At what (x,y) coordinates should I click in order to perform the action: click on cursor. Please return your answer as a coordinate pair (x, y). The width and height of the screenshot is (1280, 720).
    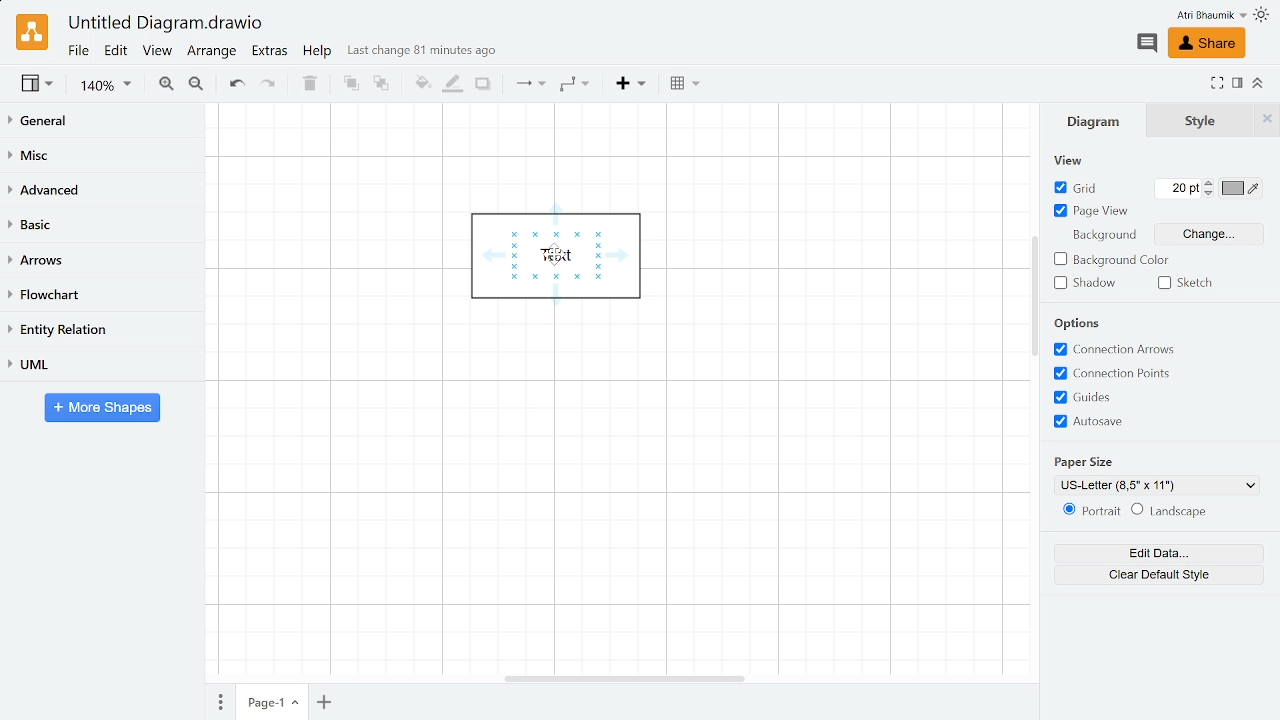
    Looking at the image, I should click on (557, 255).